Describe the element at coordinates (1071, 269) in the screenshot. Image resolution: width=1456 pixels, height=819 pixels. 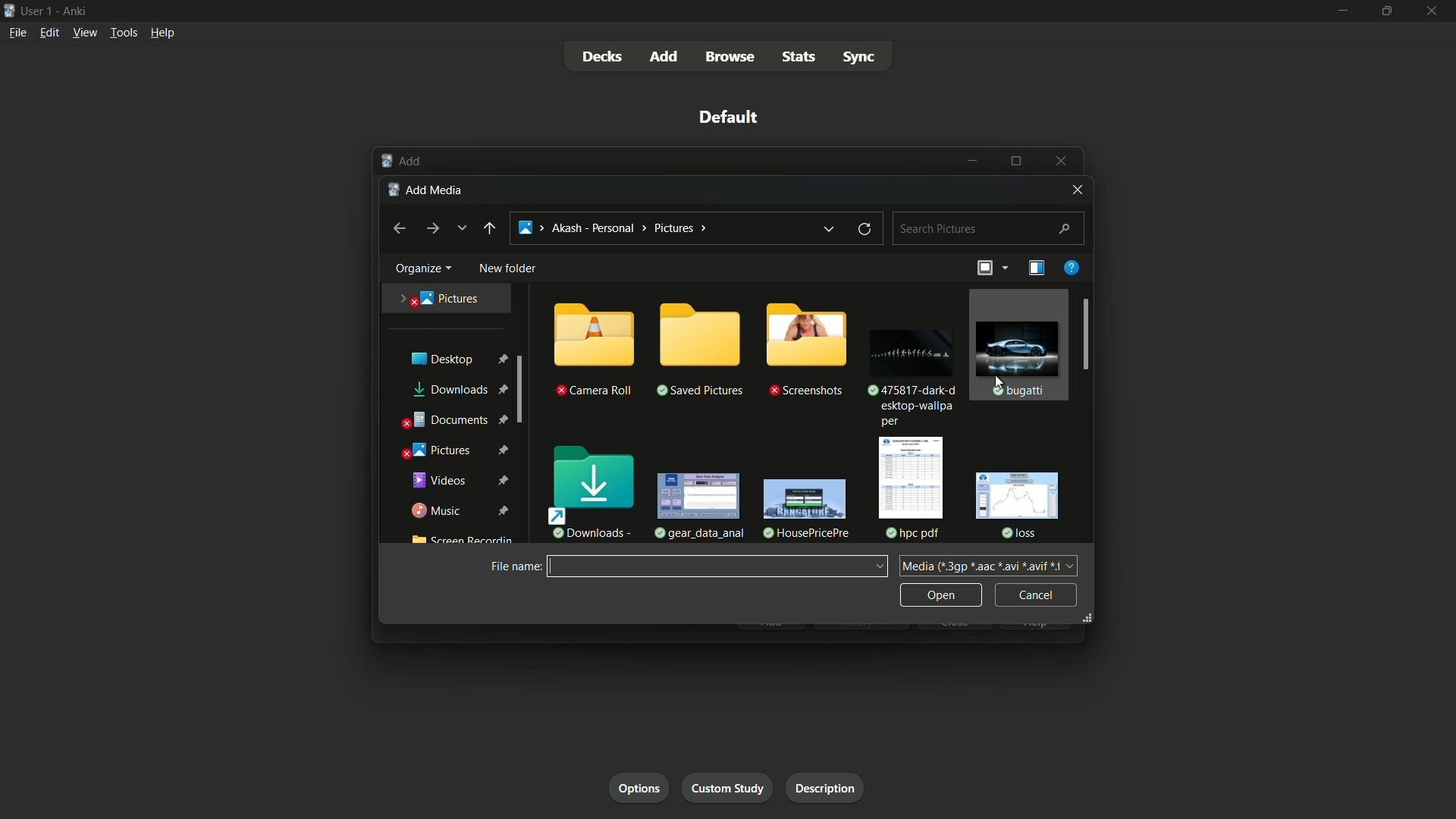
I see `get help` at that location.